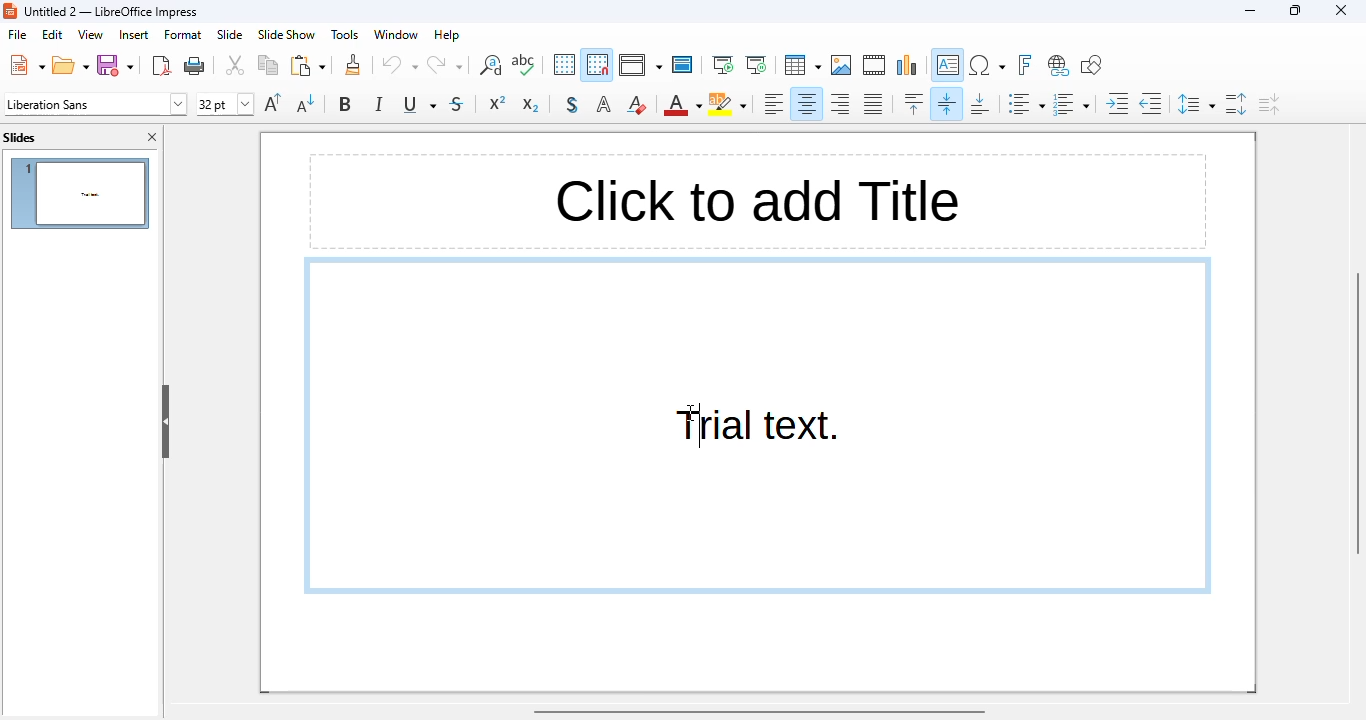 This screenshot has height=720, width=1366. What do you see at coordinates (908, 65) in the screenshot?
I see `insert chart` at bounding box center [908, 65].